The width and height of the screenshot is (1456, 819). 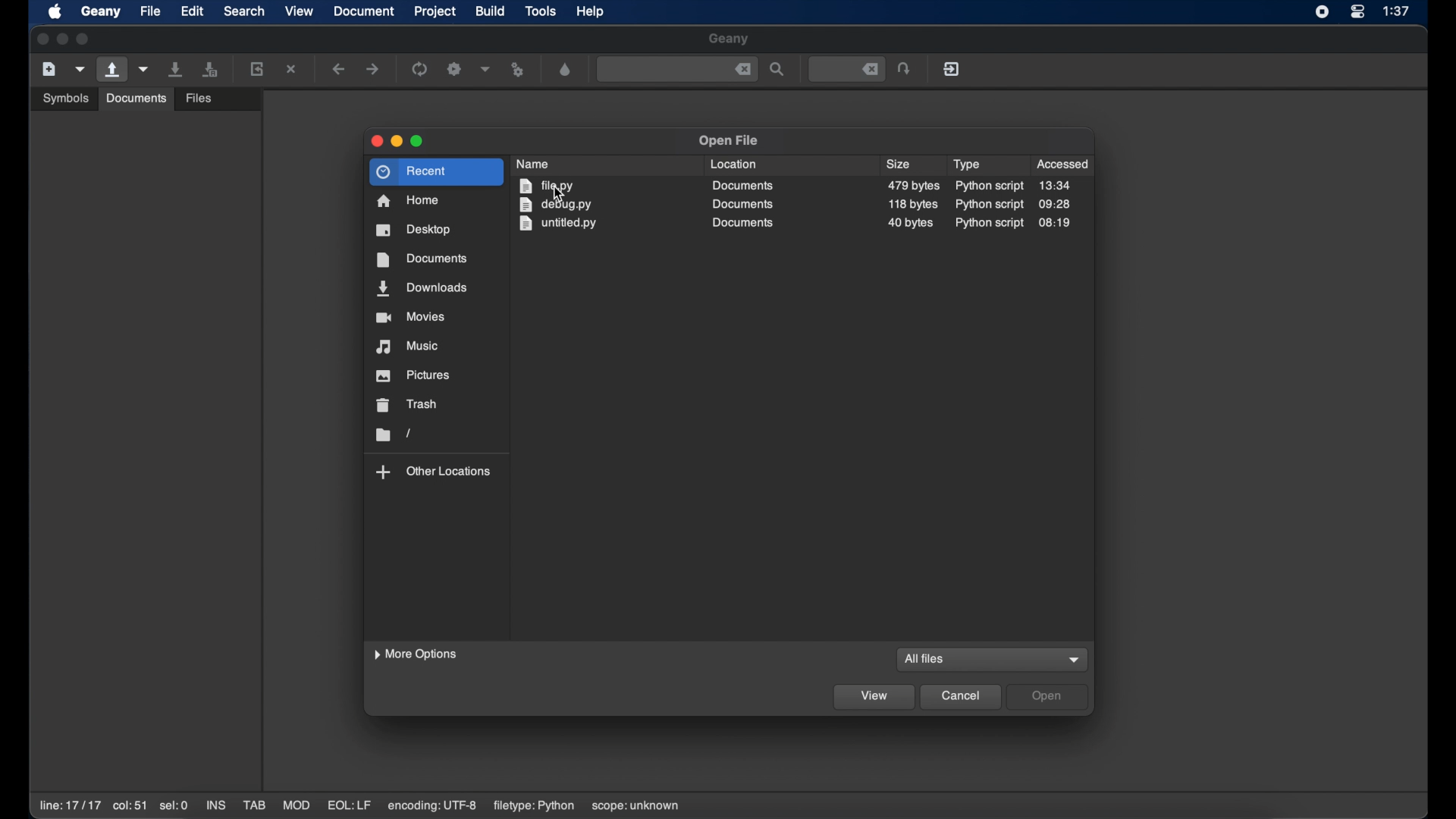 What do you see at coordinates (541, 12) in the screenshot?
I see `tools` at bounding box center [541, 12].